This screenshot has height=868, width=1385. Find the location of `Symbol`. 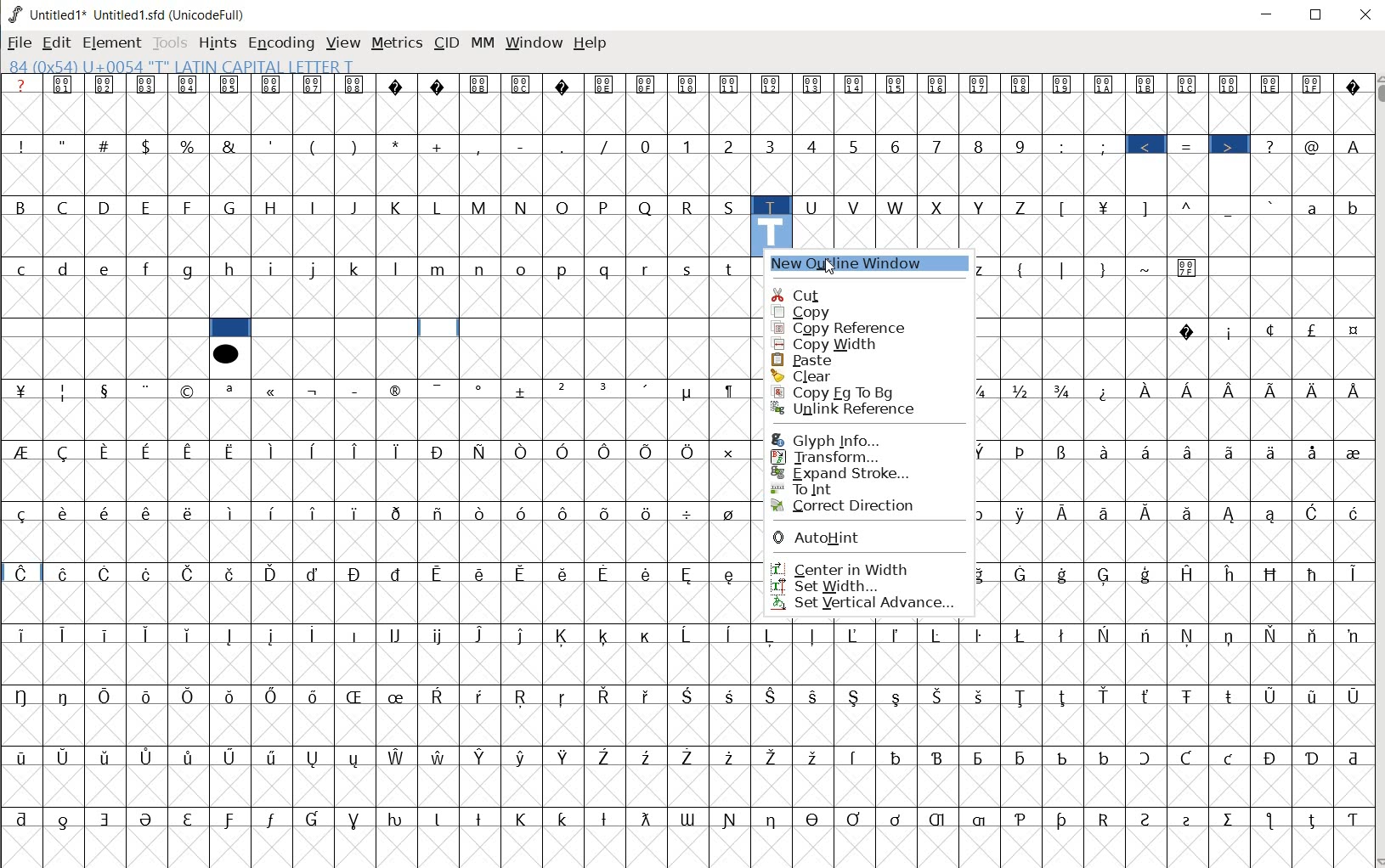

Symbol is located at coordinates (357, 635).